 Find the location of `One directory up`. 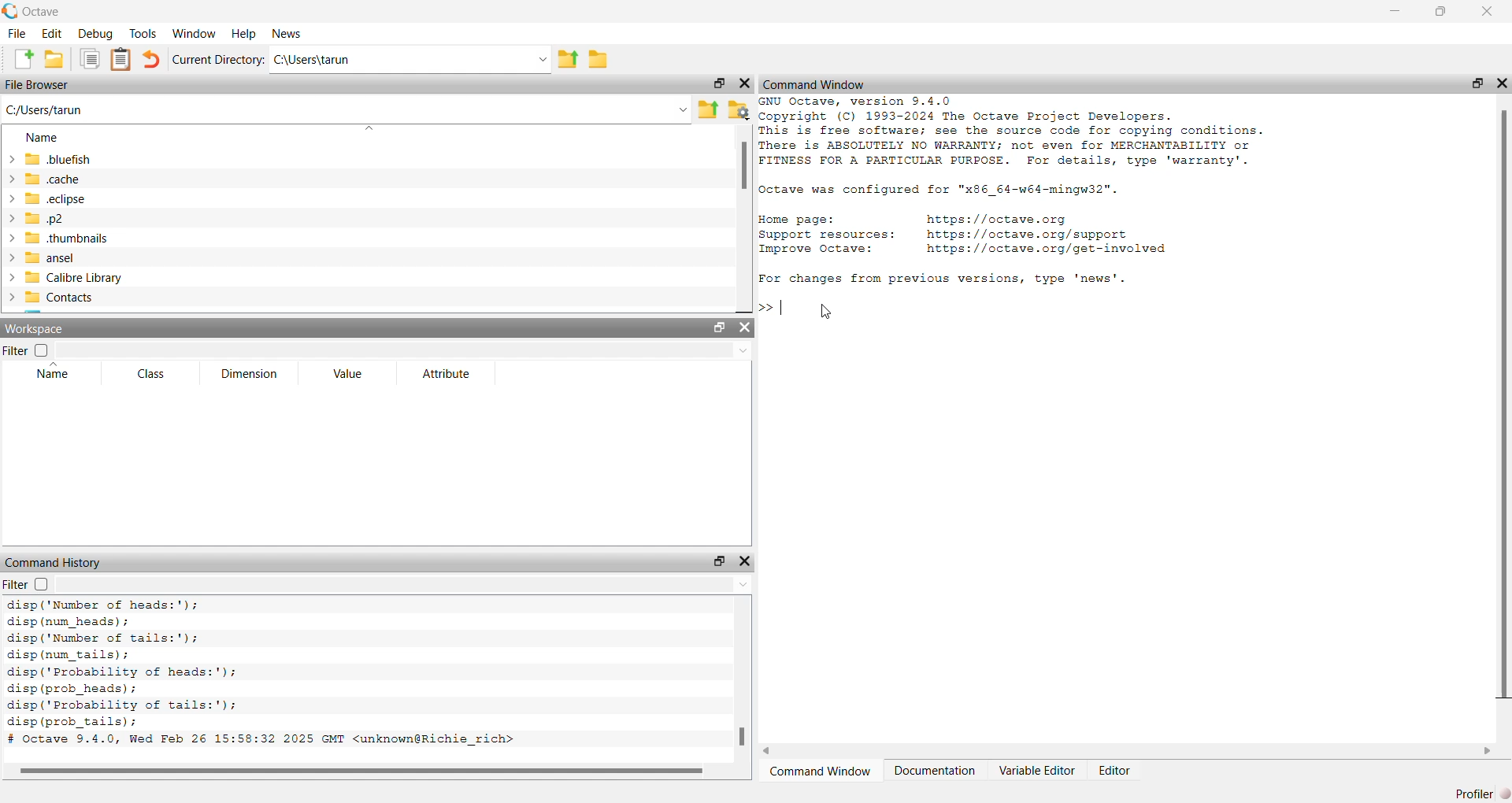

One directory up is located at coordinates (568, 57).